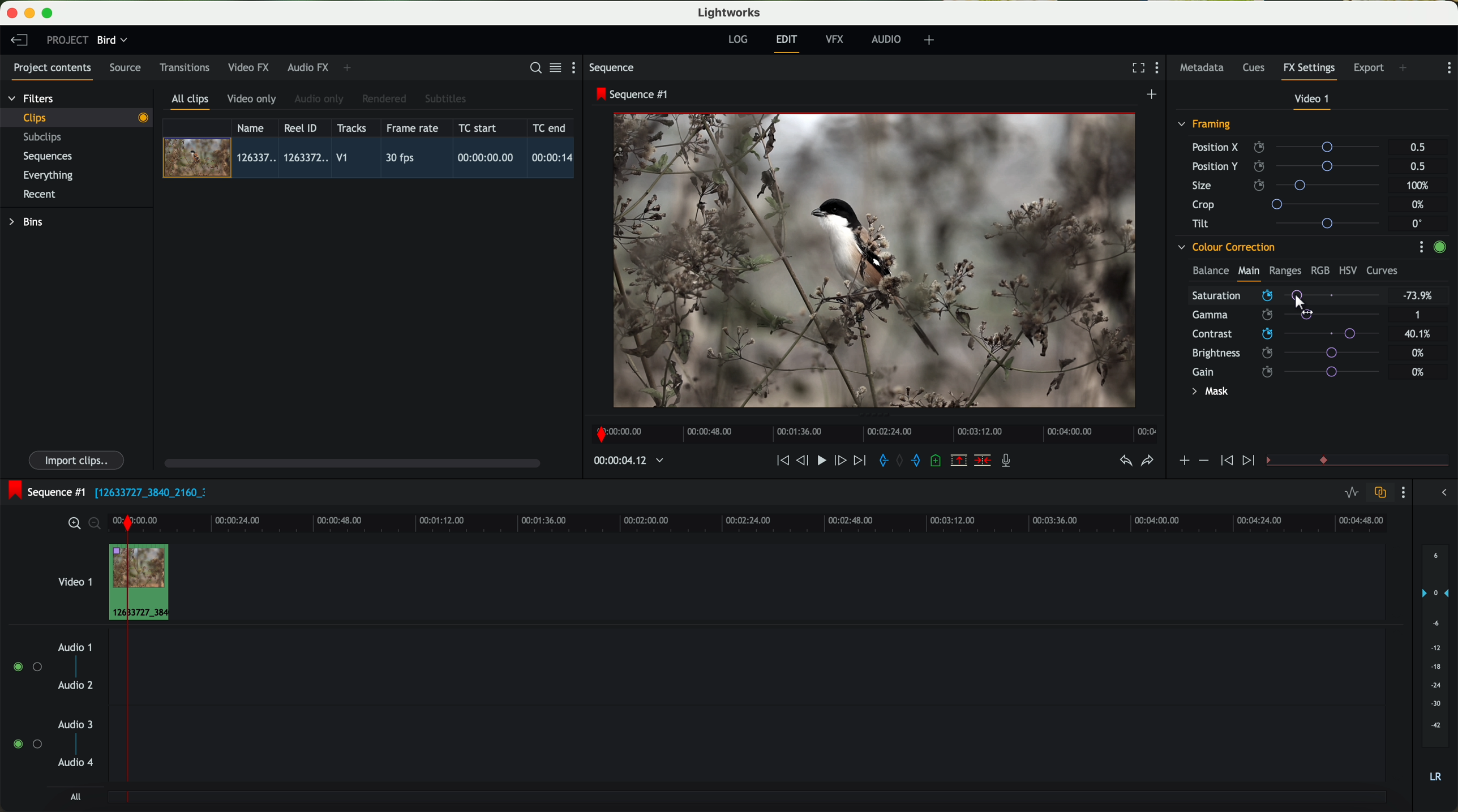 The image size is (1458, 812). Describe the element at coordinates (1290, 204) in the screenshot. I see `crop` at that location.